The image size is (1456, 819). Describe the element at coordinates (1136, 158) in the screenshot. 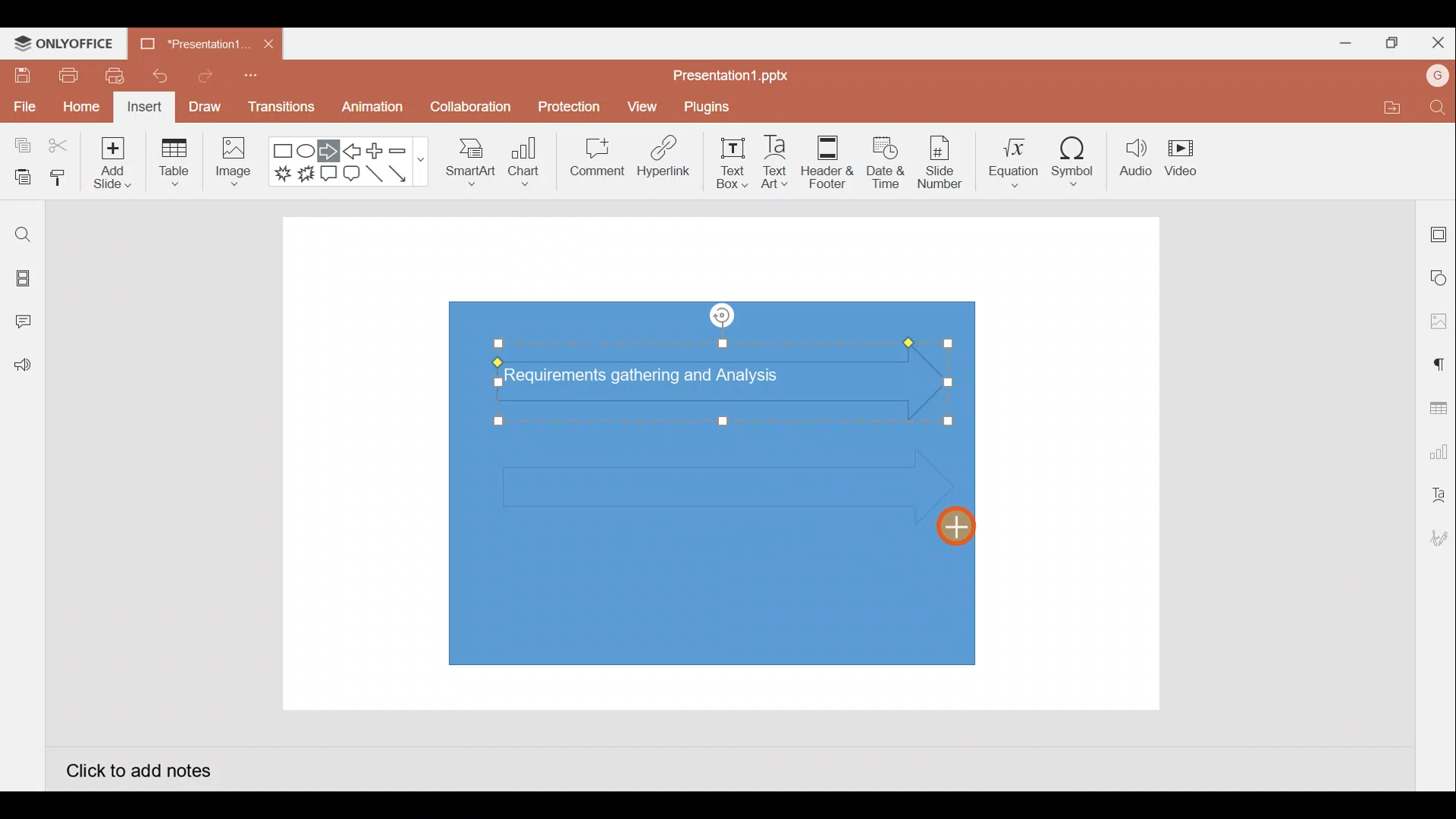

I see `Audio` at that location.